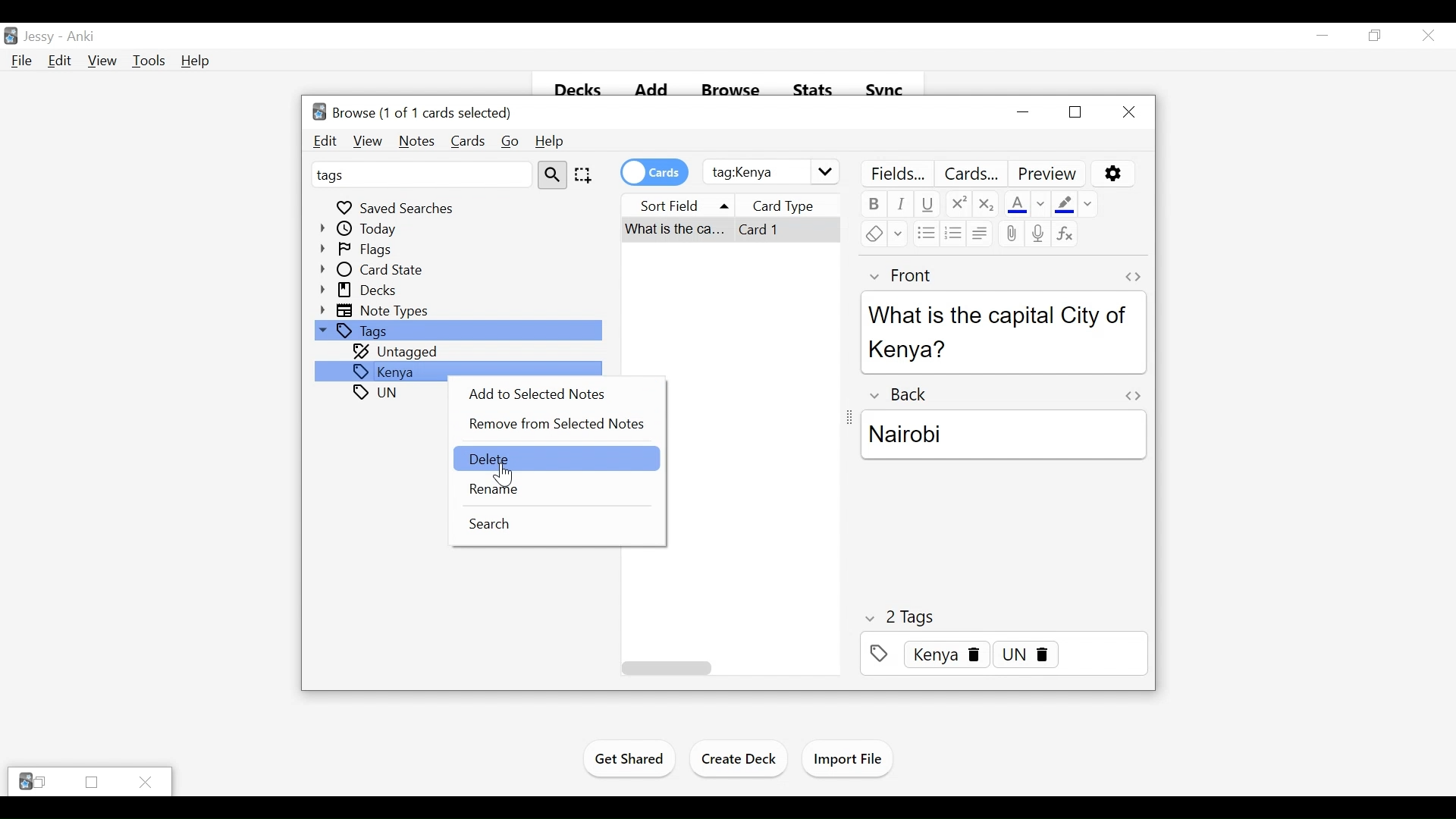  Describe the element at coordinates (906, 275) in the screenshot. I see `Front` at that location.